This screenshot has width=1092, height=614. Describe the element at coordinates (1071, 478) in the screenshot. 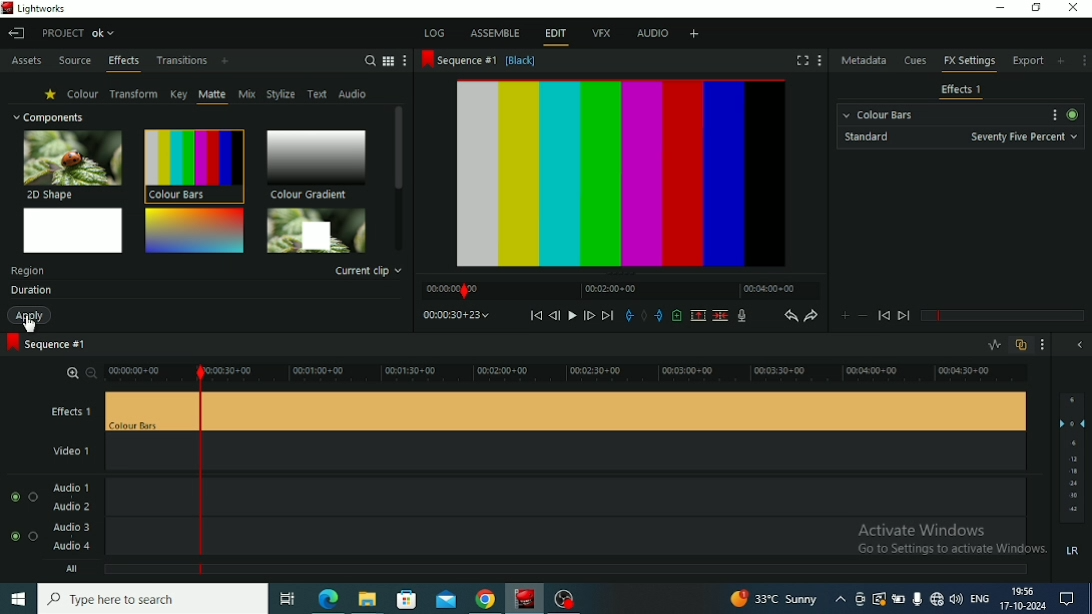

I see `Audio Output level` at that location.